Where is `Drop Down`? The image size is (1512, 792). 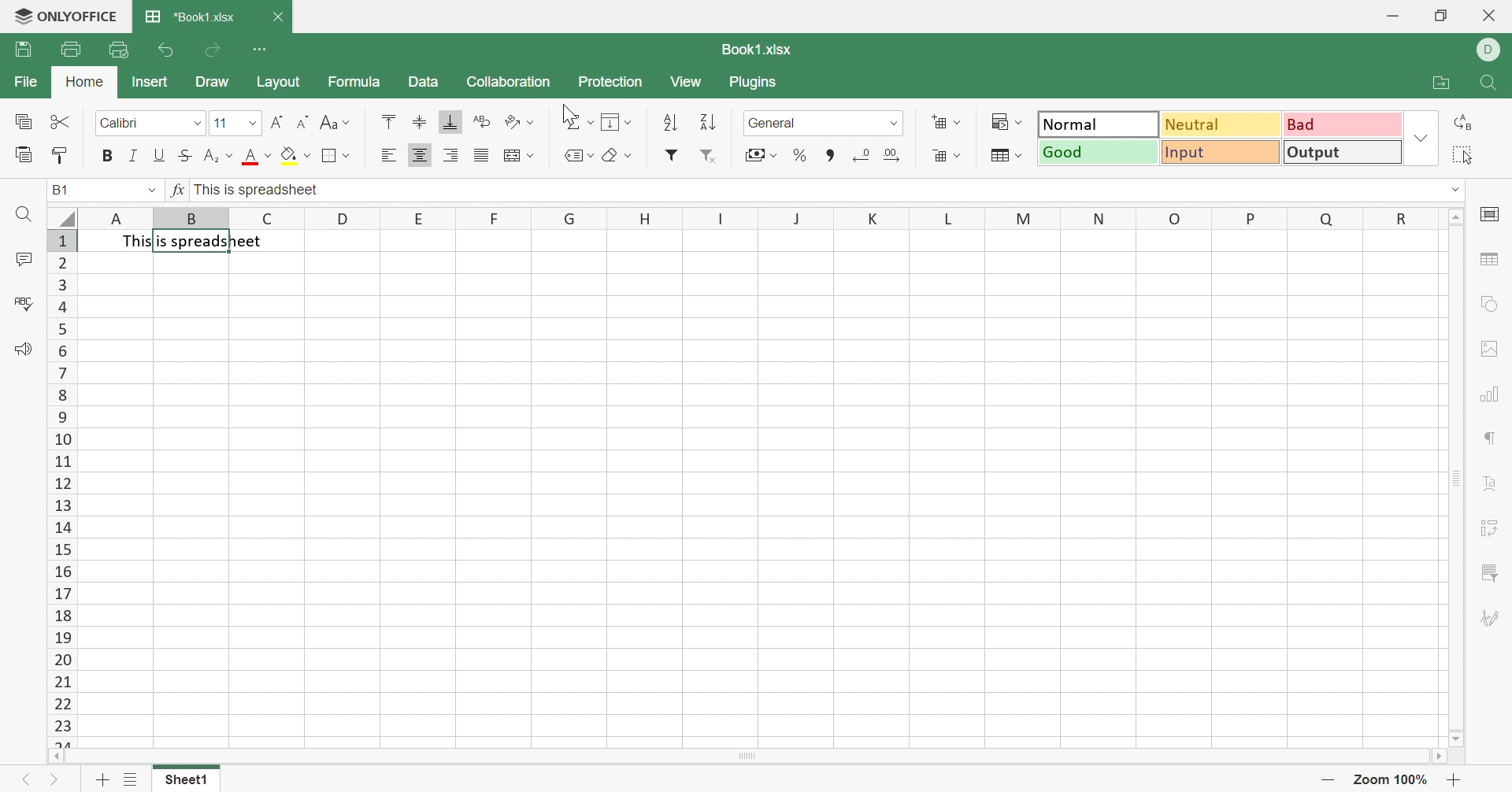
Drop Down is located at coordinates (150, 190).